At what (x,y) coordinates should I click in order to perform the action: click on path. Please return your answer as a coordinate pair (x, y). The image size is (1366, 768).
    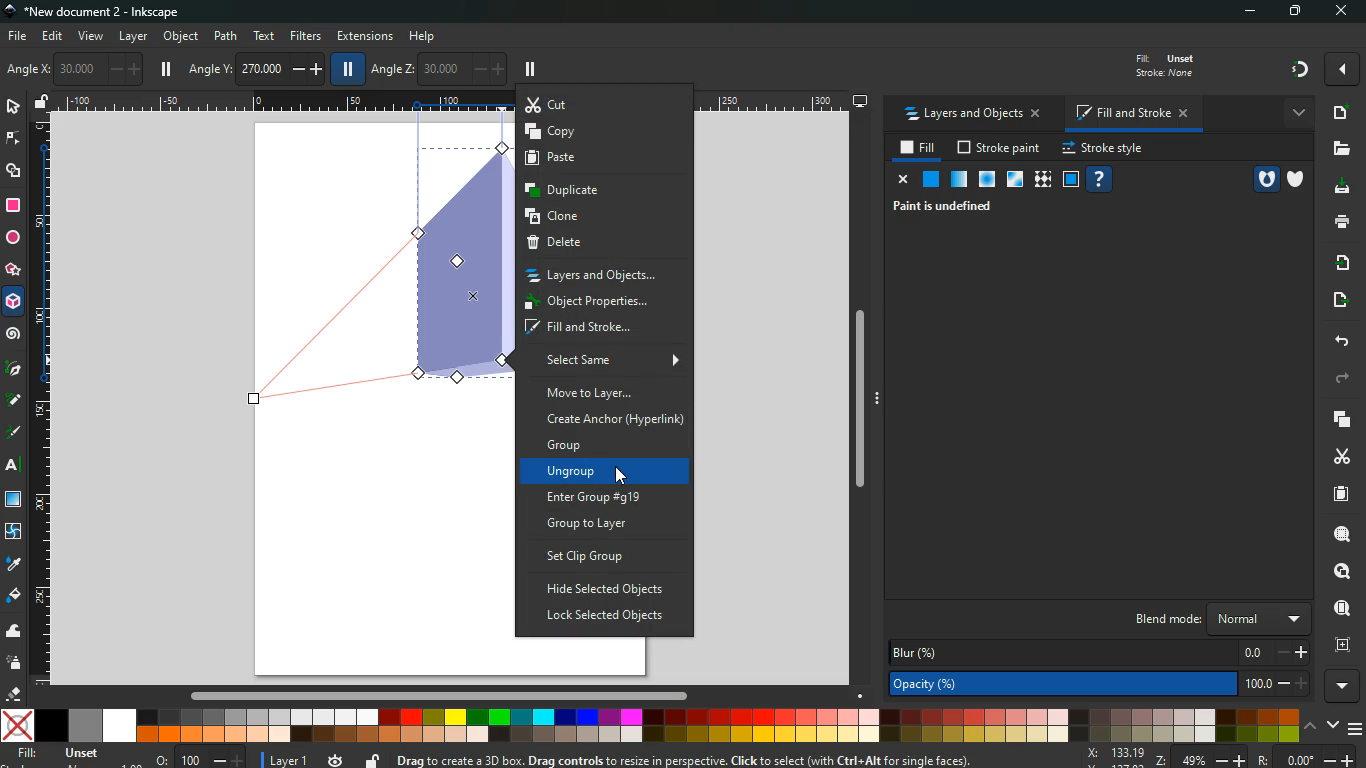
    Looking at the image, I should click on (227, 35).